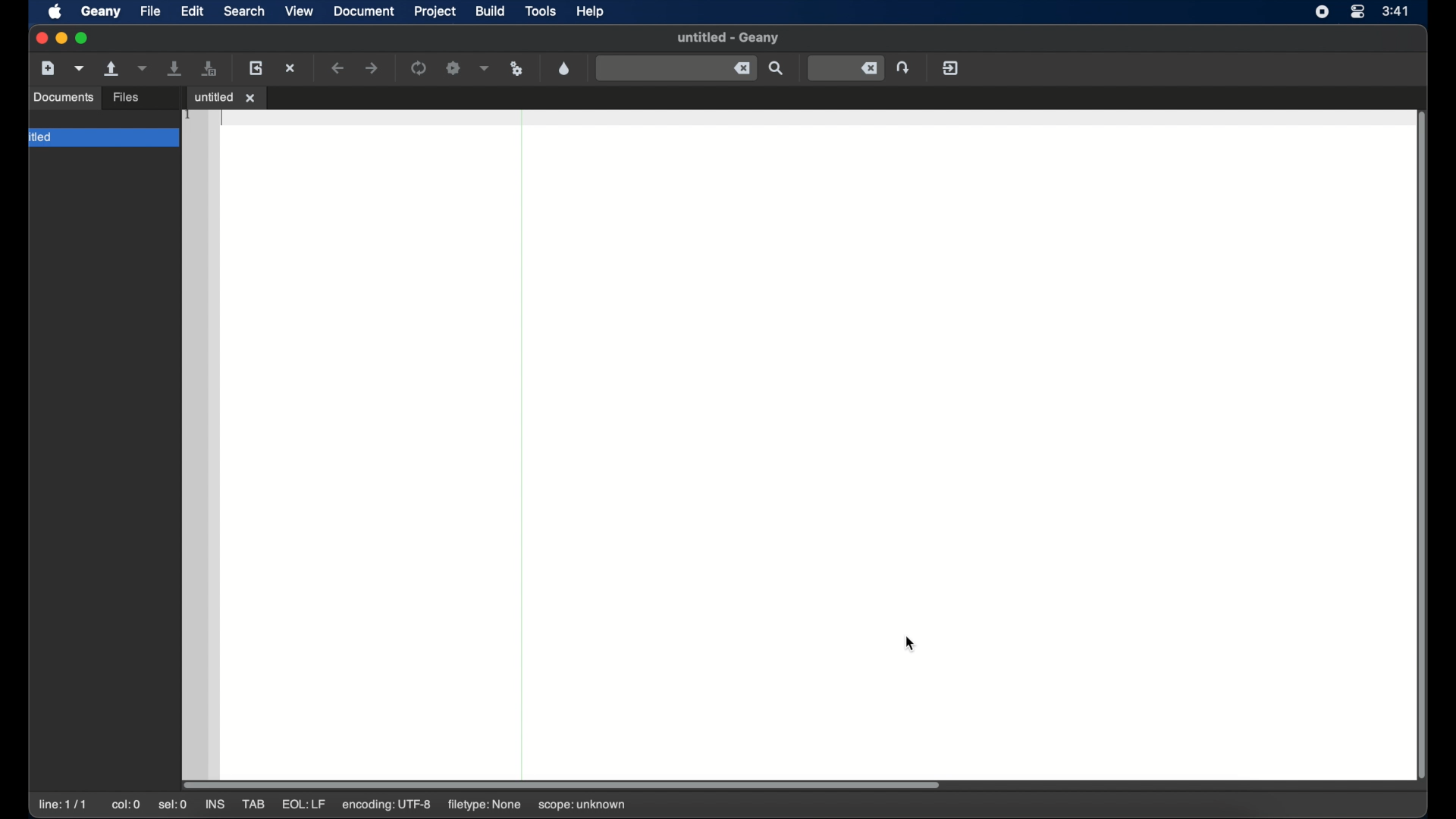 The width and height of the screenshot is (1456, 819). What do you see at coordinates (255, 805) in the screenshot?
I see `tab` at bounding box center [255, 805].